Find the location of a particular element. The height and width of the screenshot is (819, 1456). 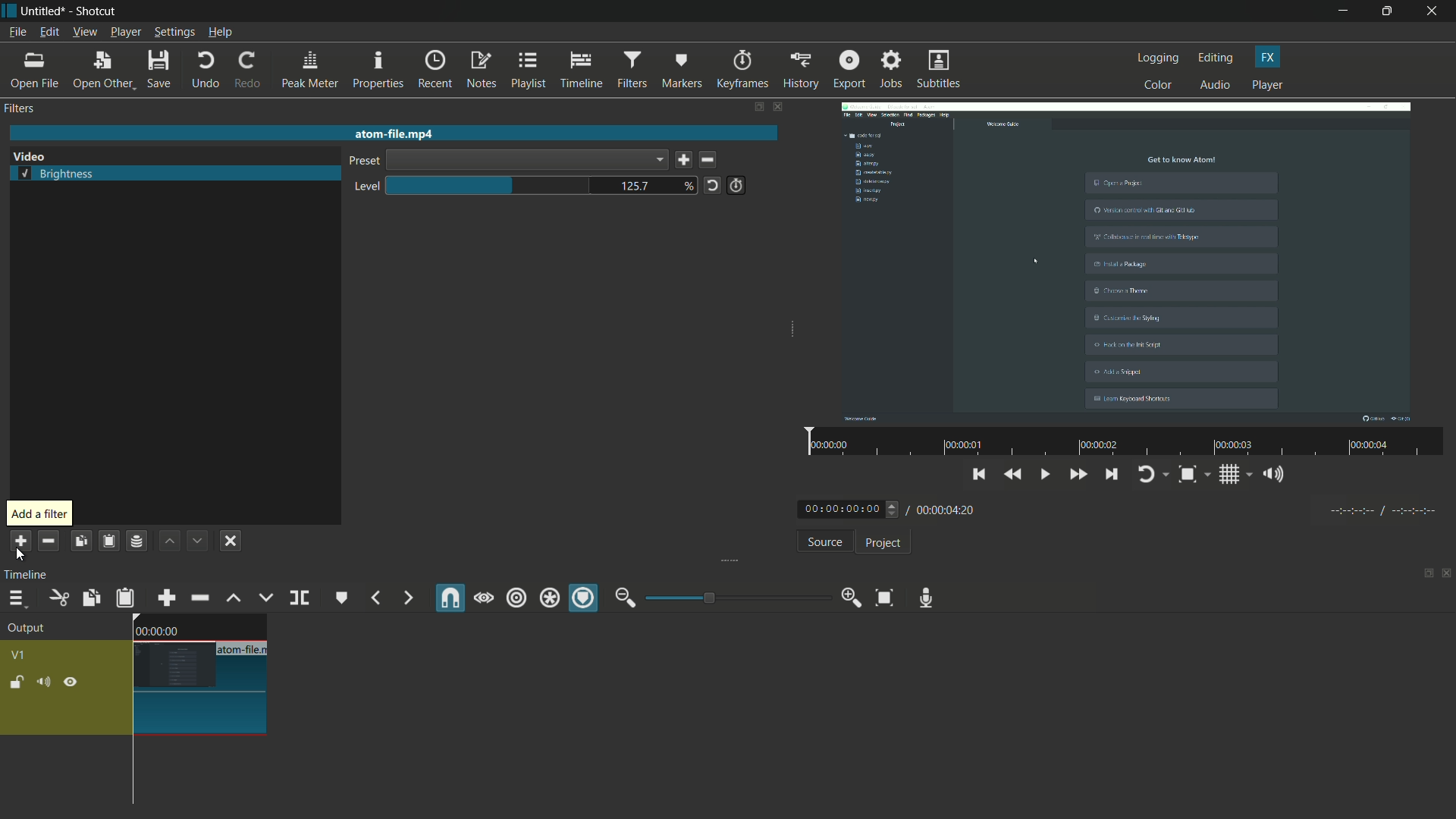

ripple markers is located at coordinates (585, 599).